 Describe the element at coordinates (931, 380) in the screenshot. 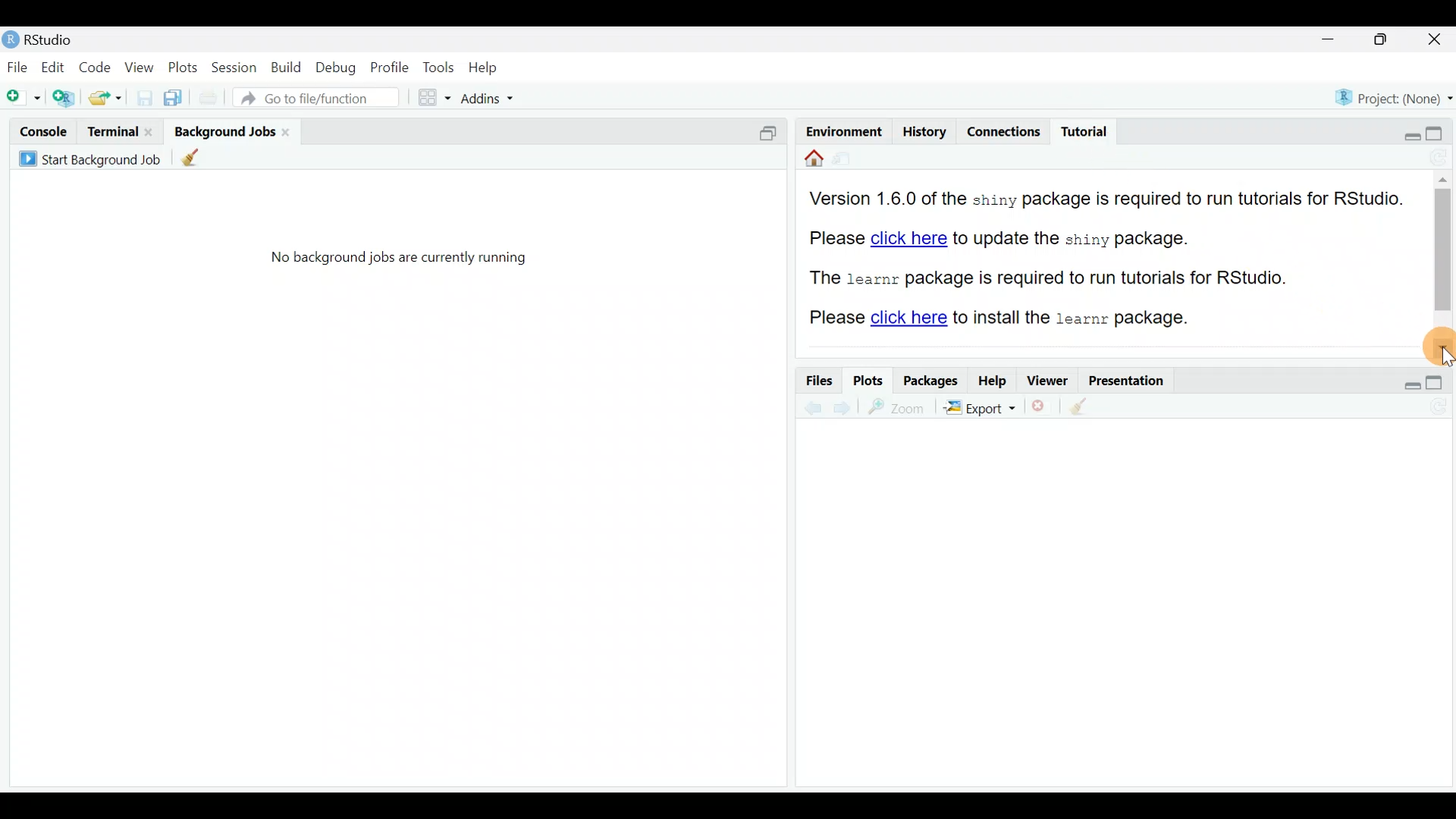

I see `Packages` at that location.